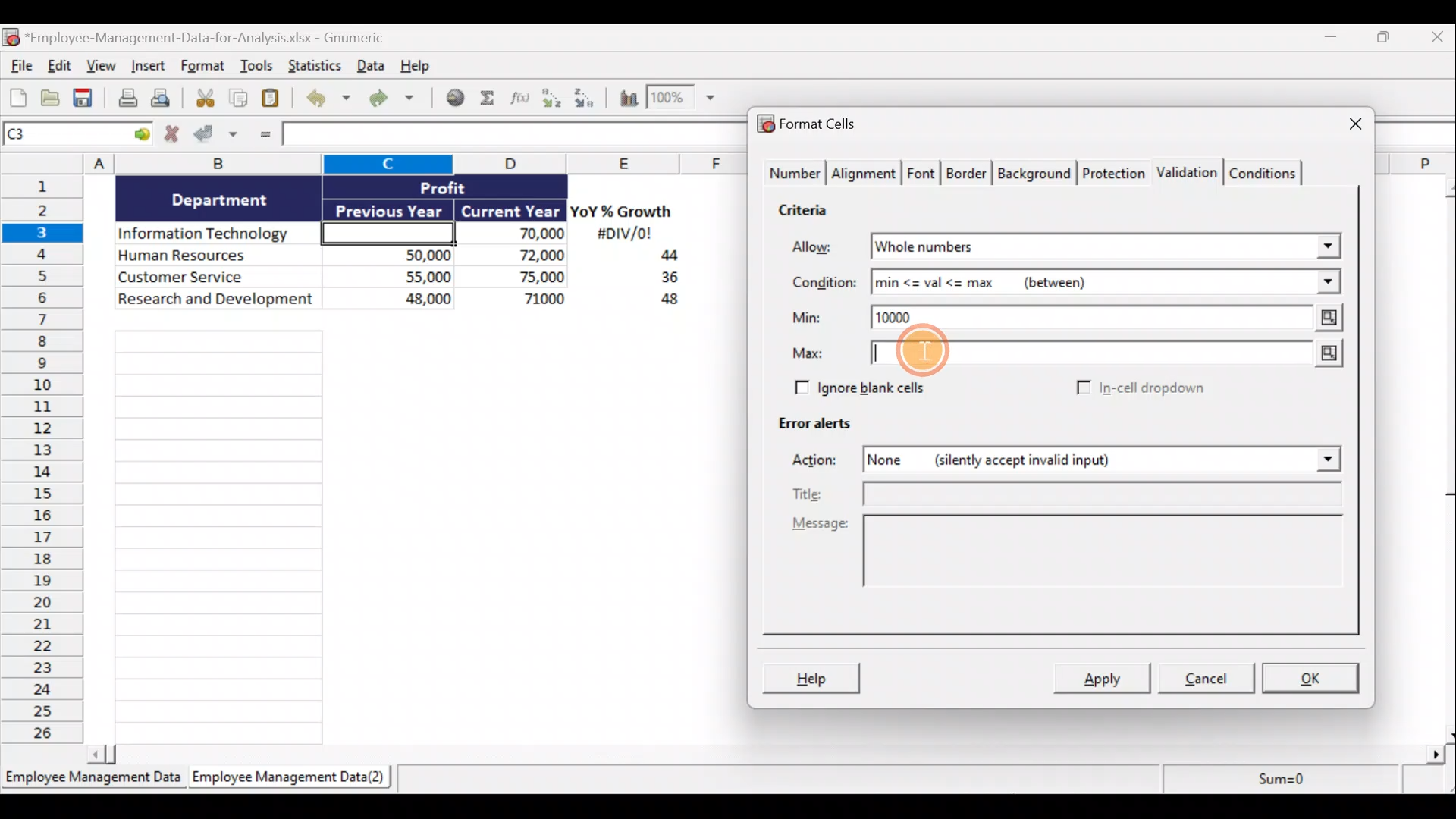  What do you see at coordinates (398, 99) in the screenshot?
I see `Redo undone action` at bounding box center [398, 99].